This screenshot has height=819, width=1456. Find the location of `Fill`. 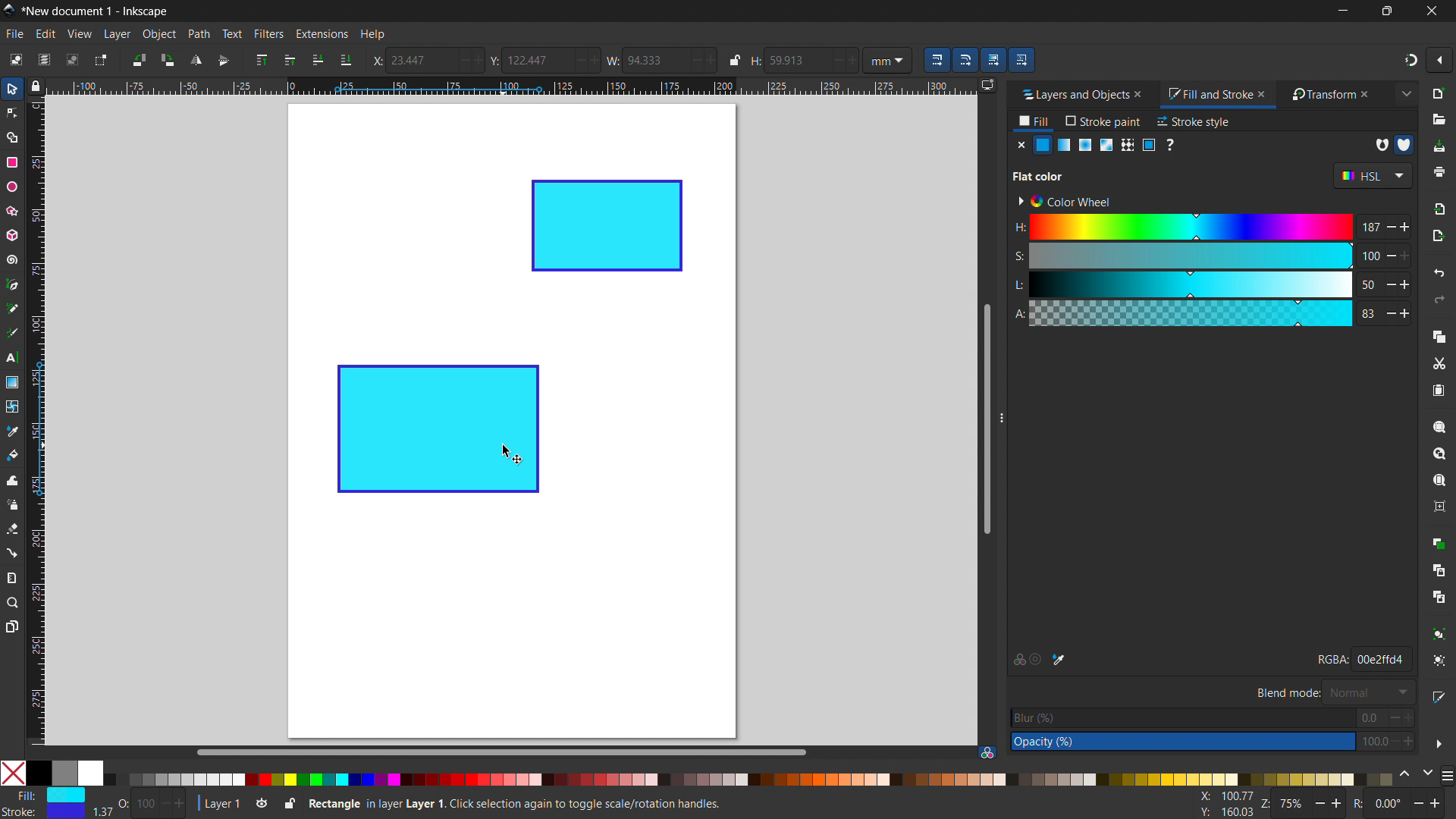

Fill is located at coordinates (46, 795).